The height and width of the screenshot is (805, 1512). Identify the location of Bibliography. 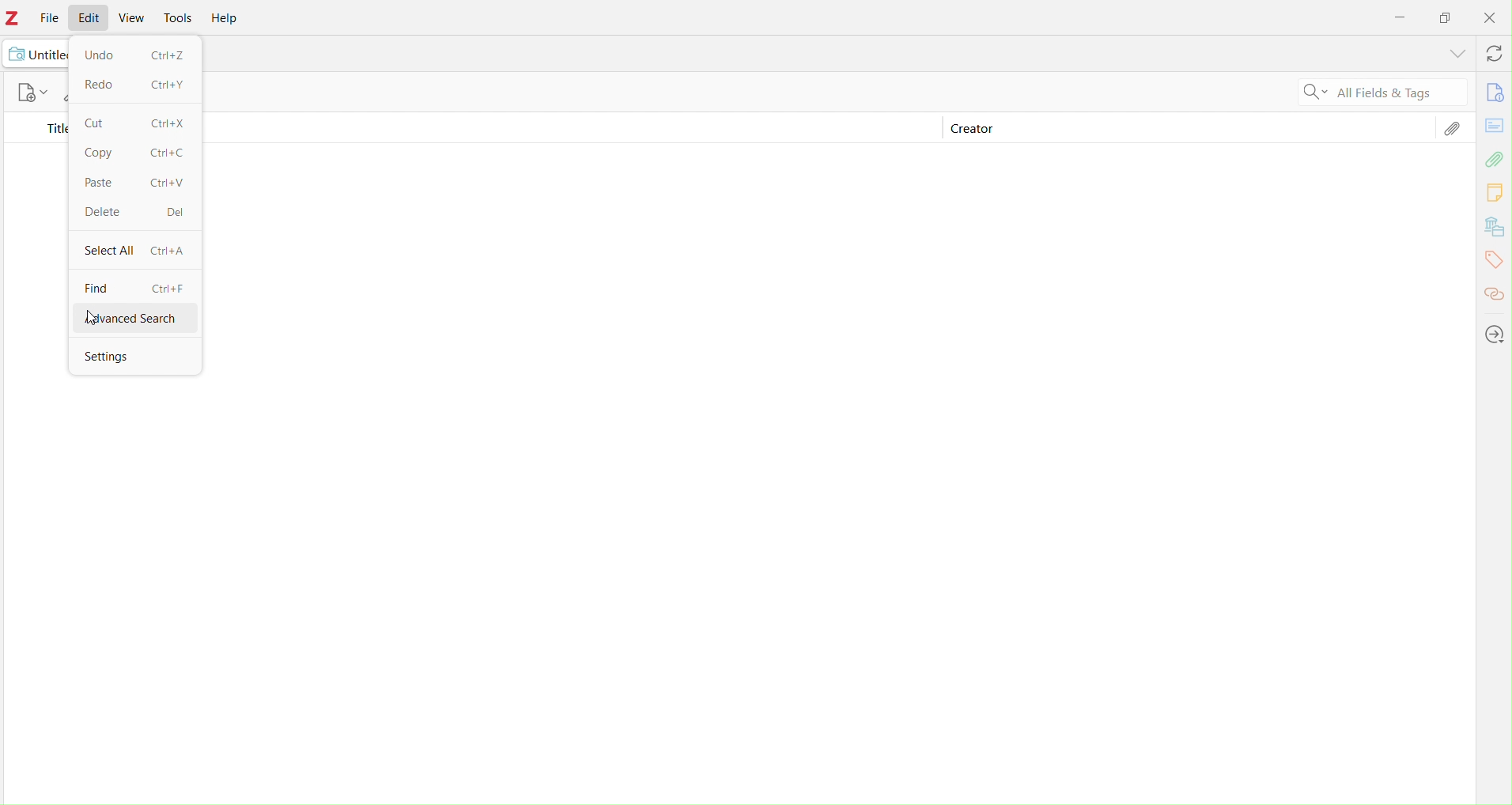
(1494, 228).